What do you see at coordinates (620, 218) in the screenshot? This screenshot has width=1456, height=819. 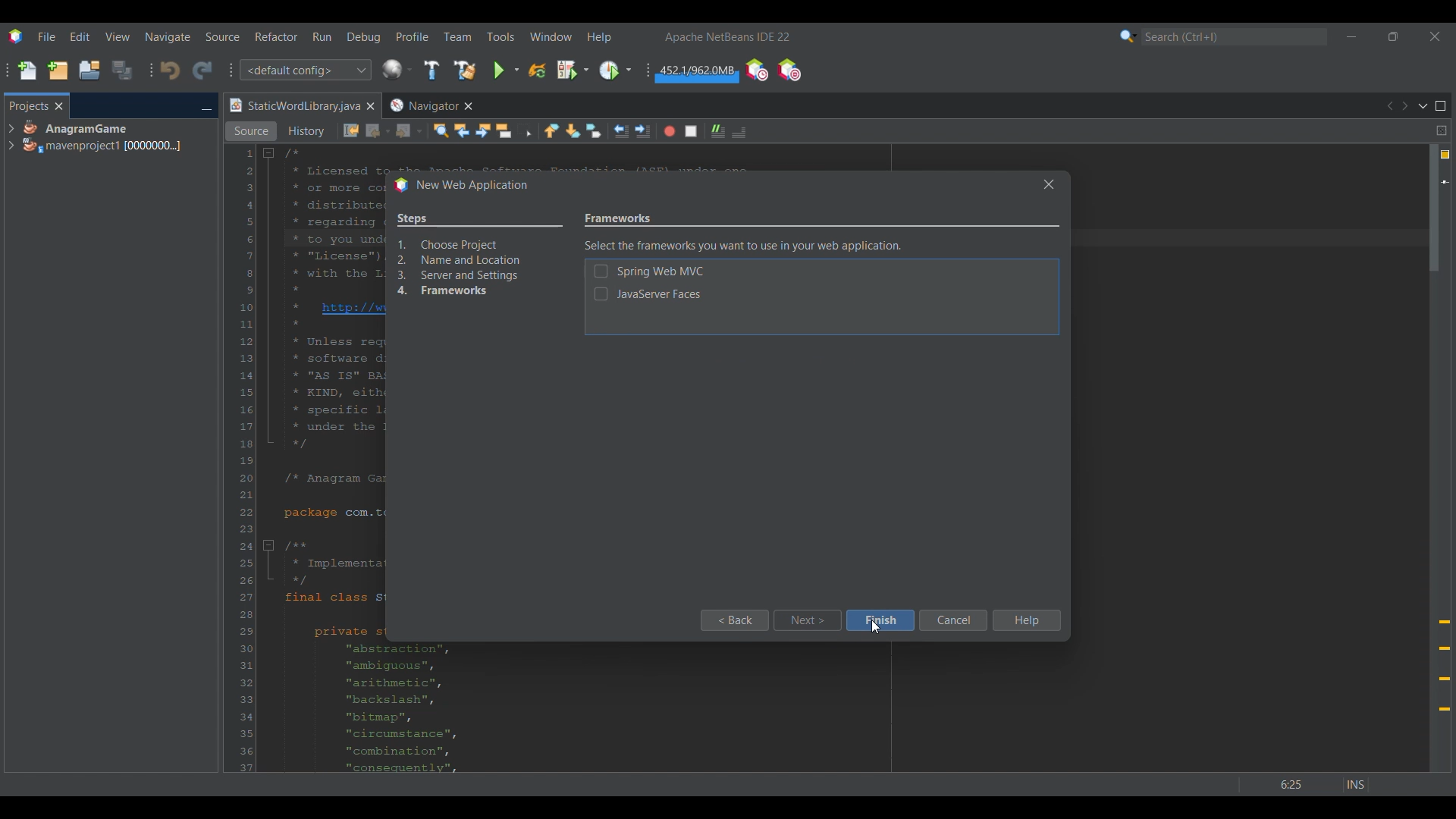 I see `Setting name` at bounding box center [620, 218].